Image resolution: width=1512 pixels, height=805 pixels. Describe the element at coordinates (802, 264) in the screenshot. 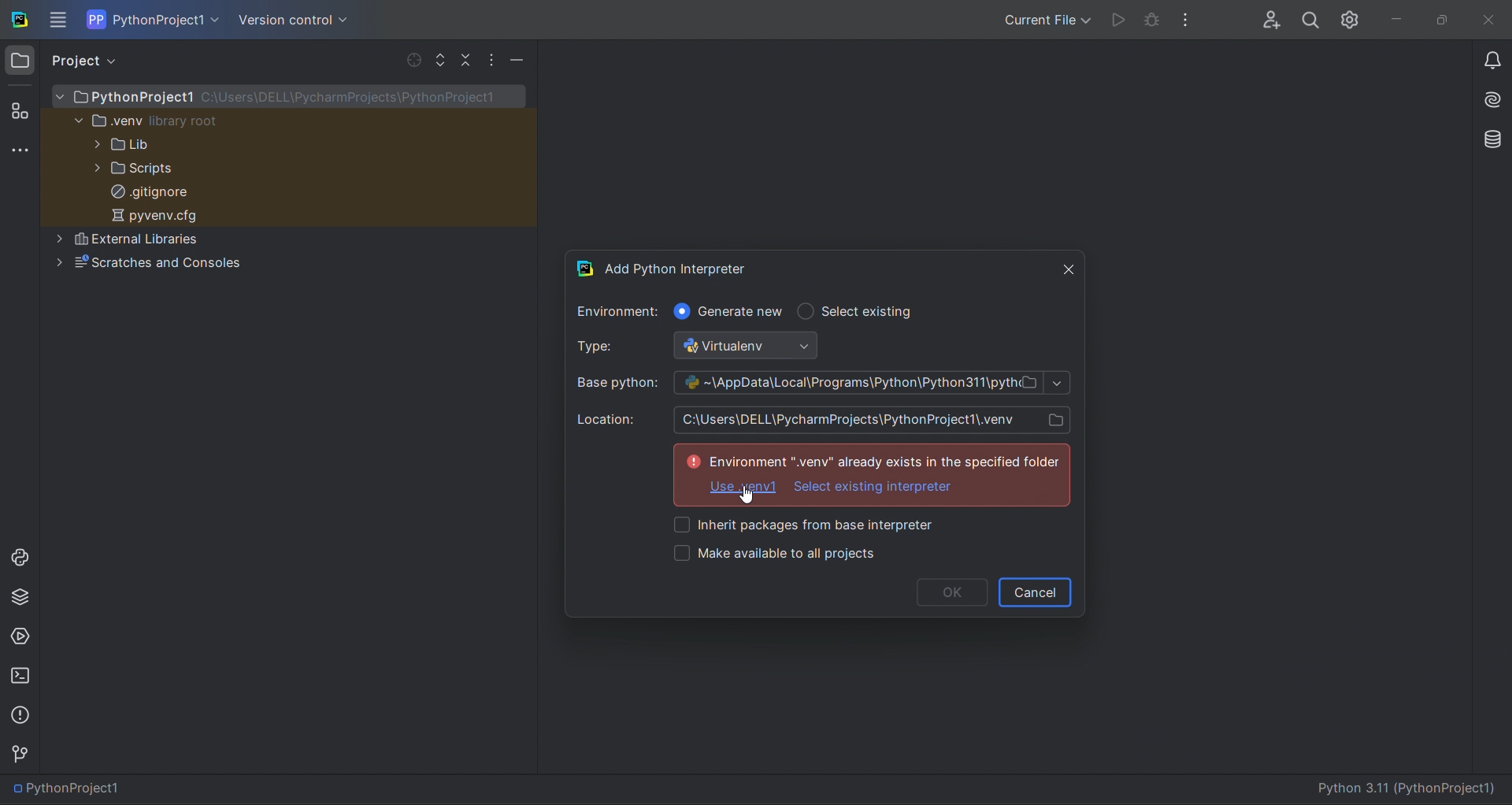

I see `tab title` at that location.